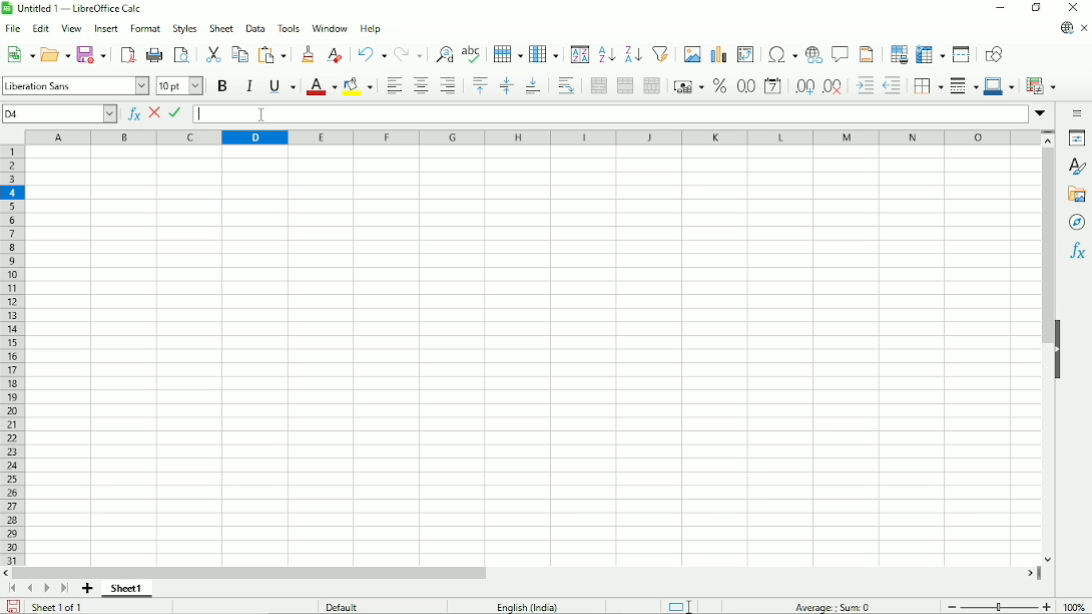 The width and height of the screenshot is (1092, 614). What do you see at coordinates (371, 28) in the screenshot?
I see `Help` at bounding box center [371, 28].